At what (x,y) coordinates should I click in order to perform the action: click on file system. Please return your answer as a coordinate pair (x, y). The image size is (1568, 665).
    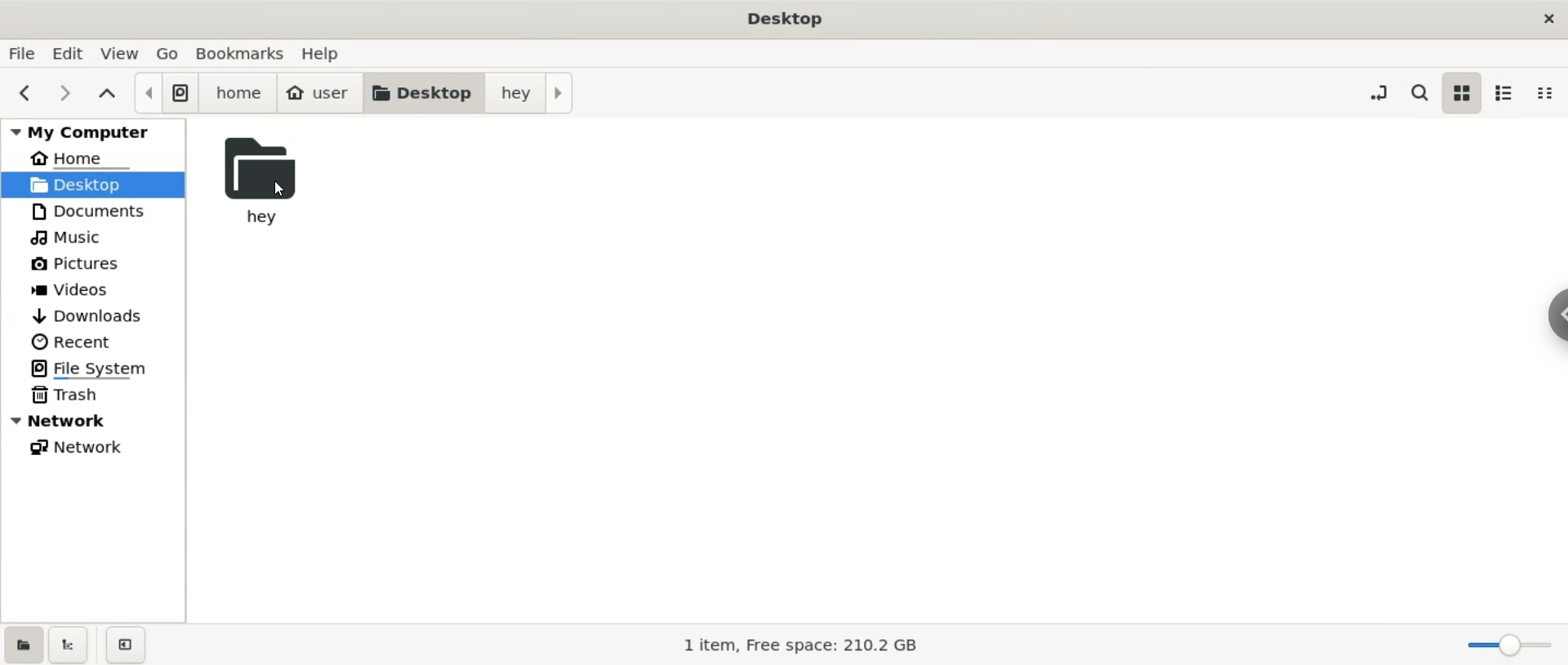
    Looking at the image, I should click on (165, 93).